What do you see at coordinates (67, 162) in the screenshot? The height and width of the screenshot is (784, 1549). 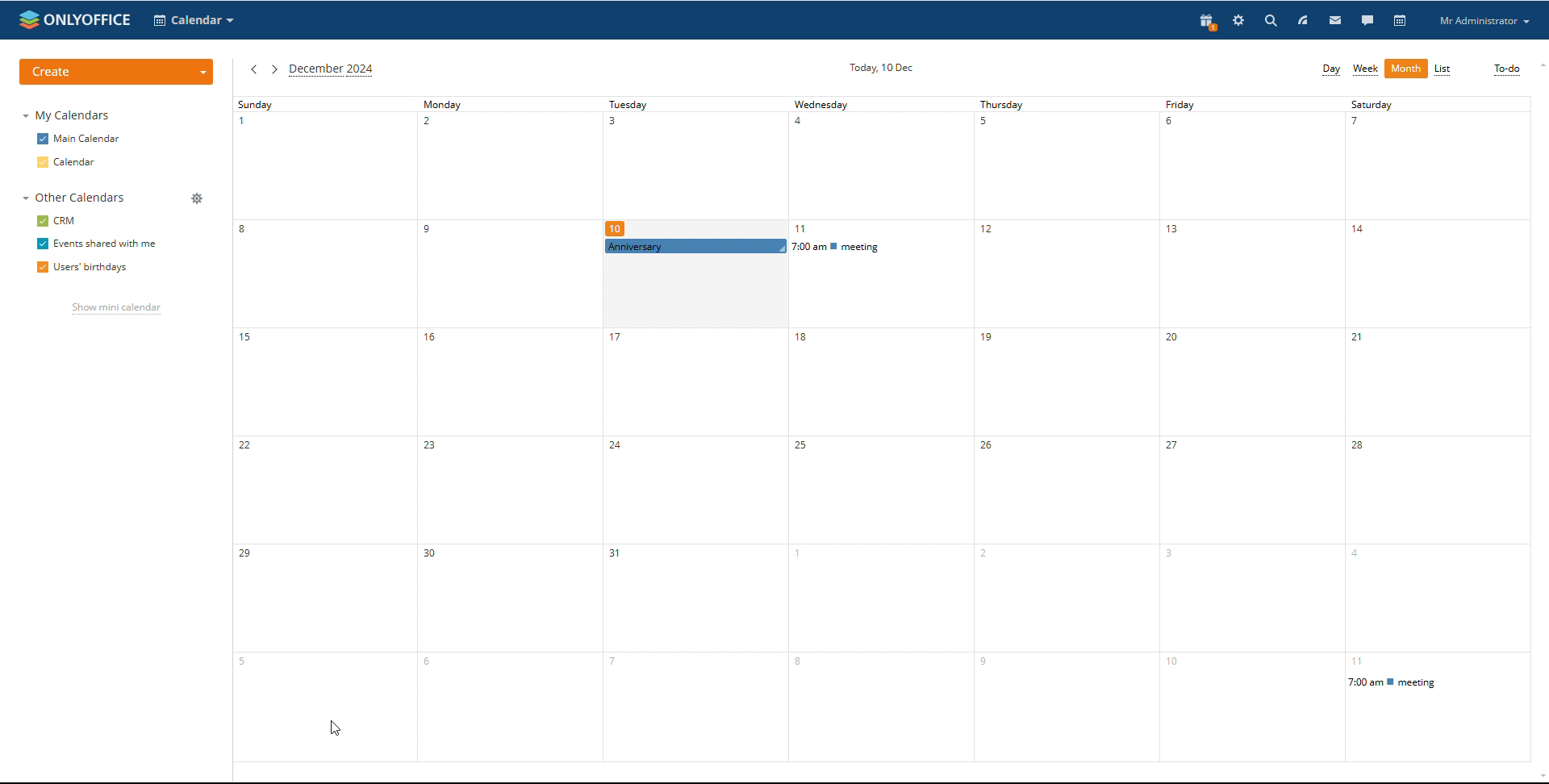 I see `calendar` at bounding box center [67, 162].